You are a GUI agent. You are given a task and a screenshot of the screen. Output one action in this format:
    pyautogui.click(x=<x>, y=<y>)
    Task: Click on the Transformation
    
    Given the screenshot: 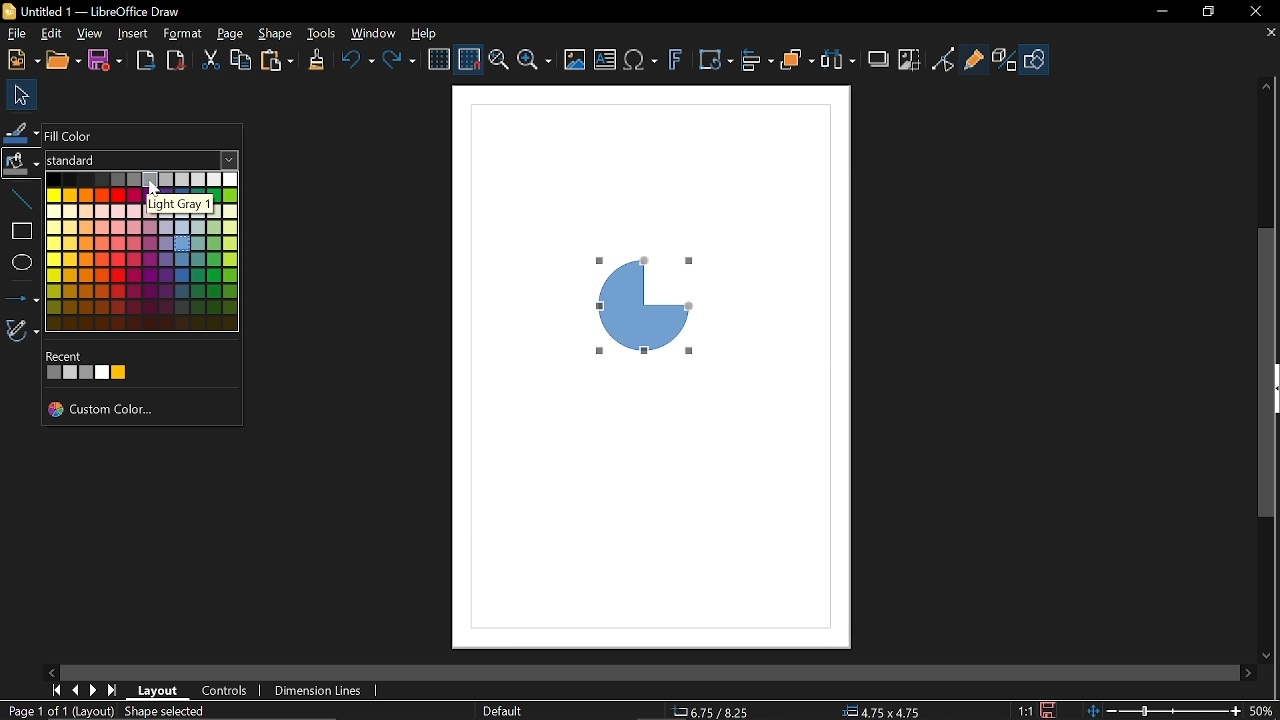 What is the action you would take?
    pyautogui.click(x=715, y=62)
    